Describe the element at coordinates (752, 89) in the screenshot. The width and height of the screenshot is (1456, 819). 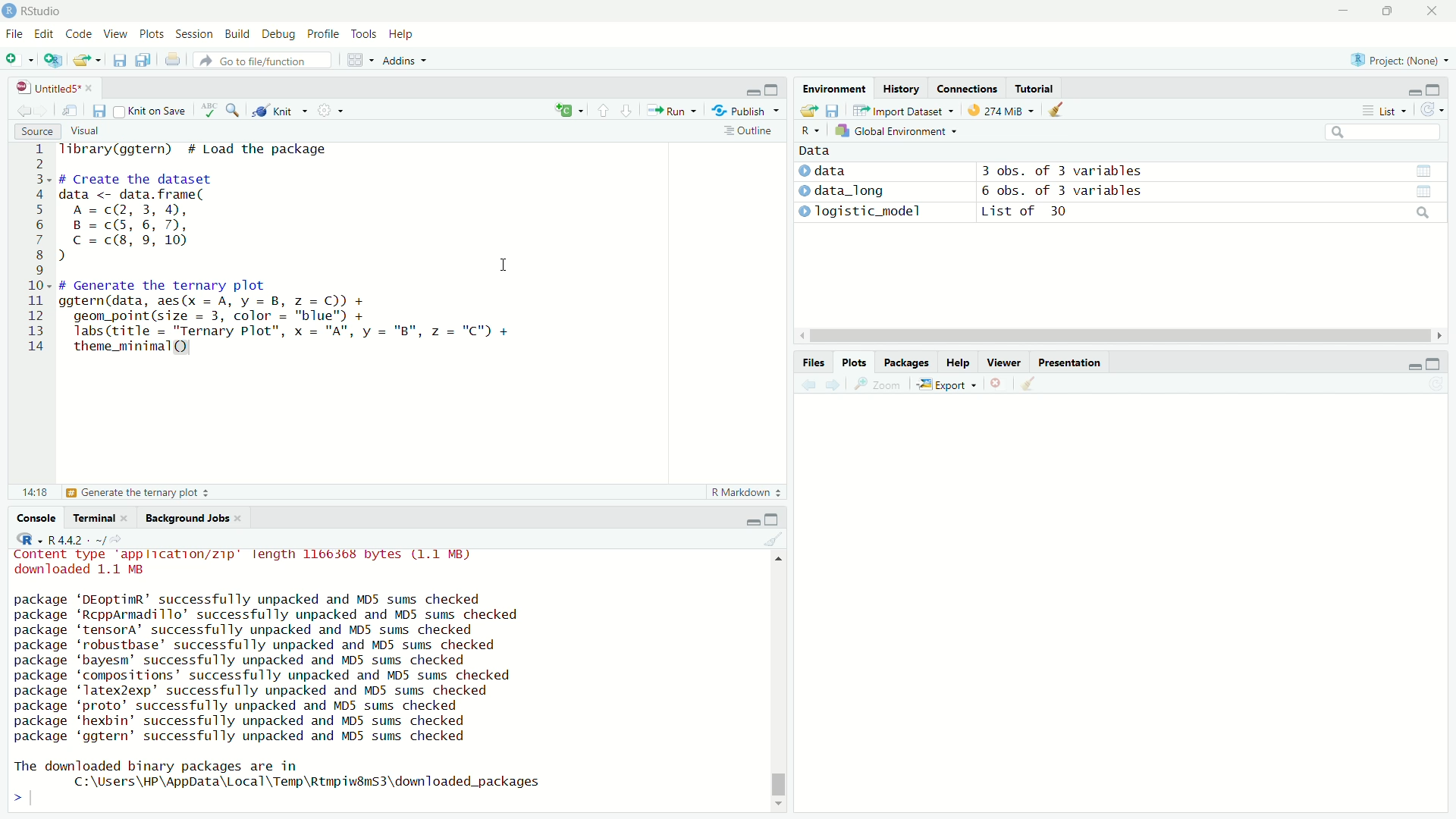
I see `minimise` at that location.